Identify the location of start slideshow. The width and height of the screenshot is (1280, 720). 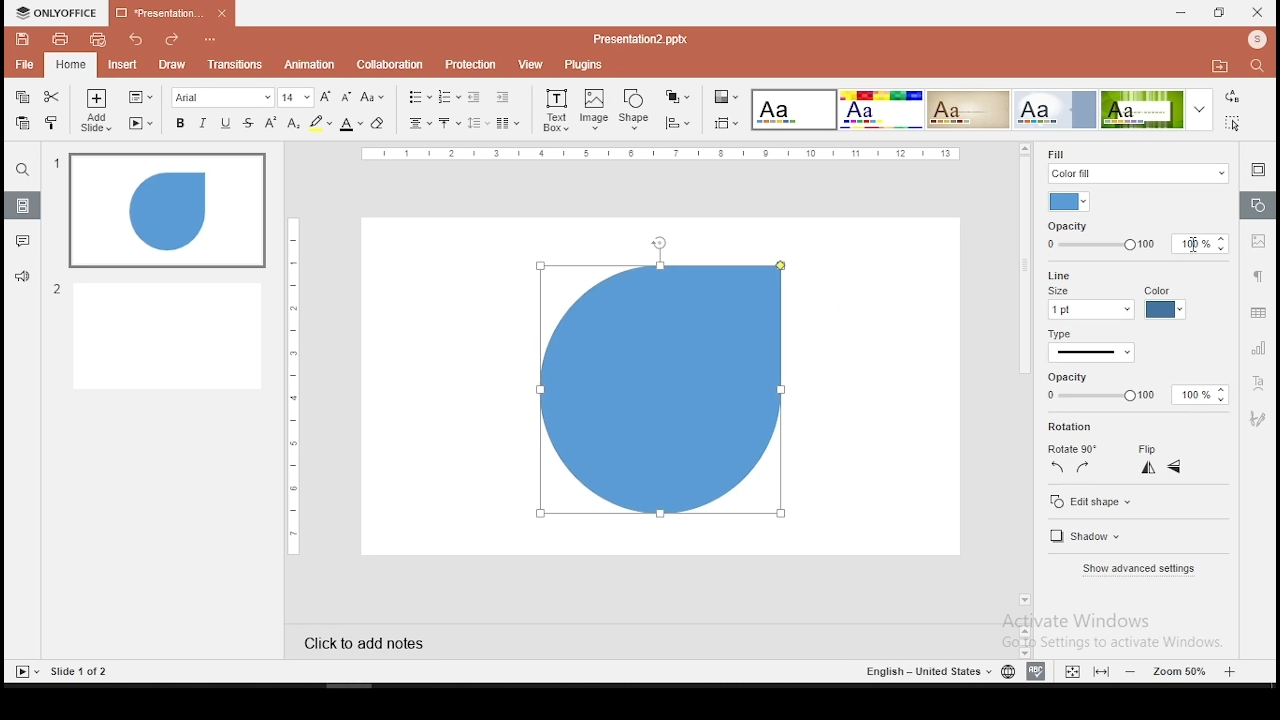
(27, 672).